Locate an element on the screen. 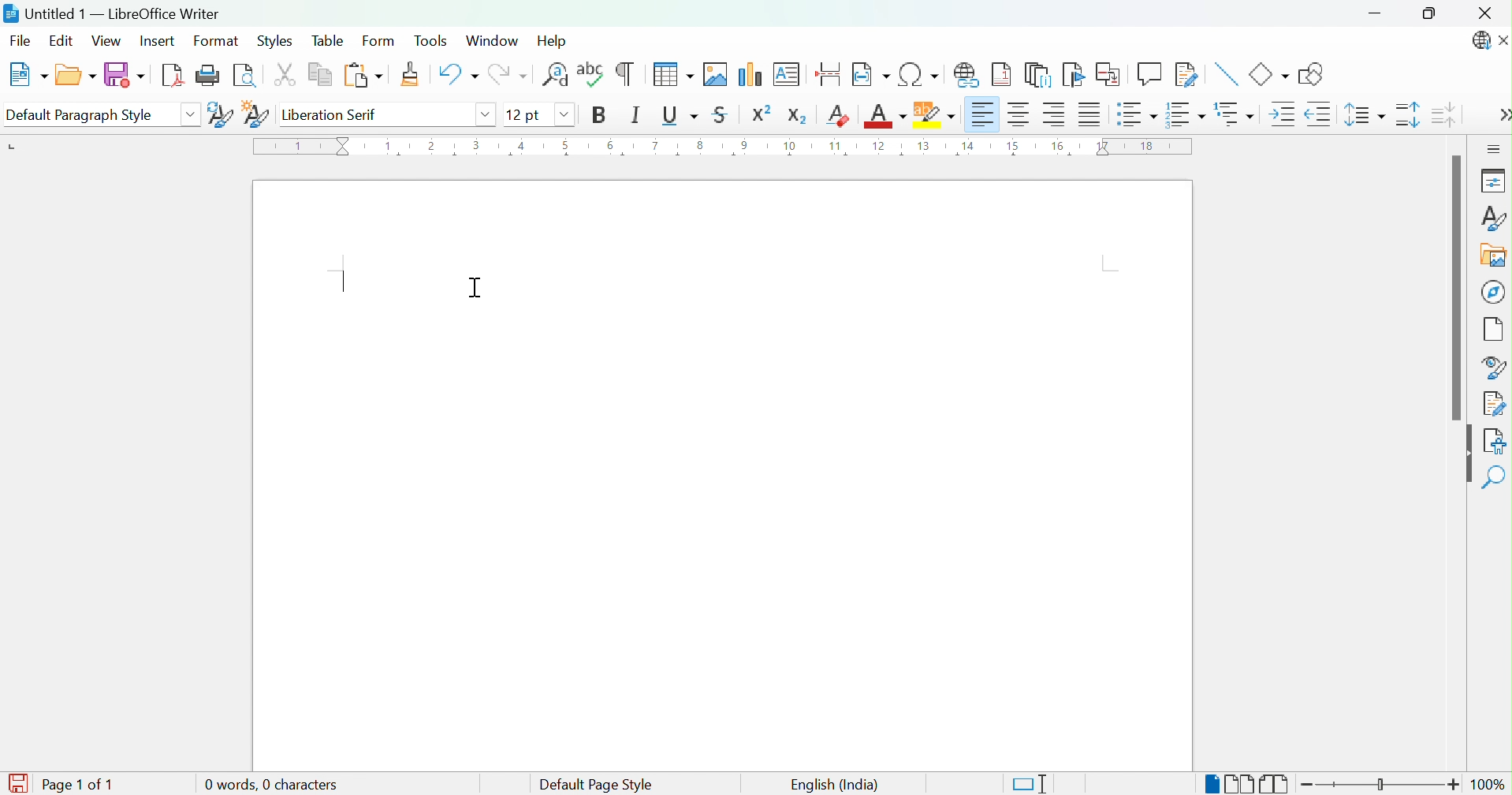 This screenshot has width=1512, height=795. Character Highlighting Color is located at coordinates (932, 114).